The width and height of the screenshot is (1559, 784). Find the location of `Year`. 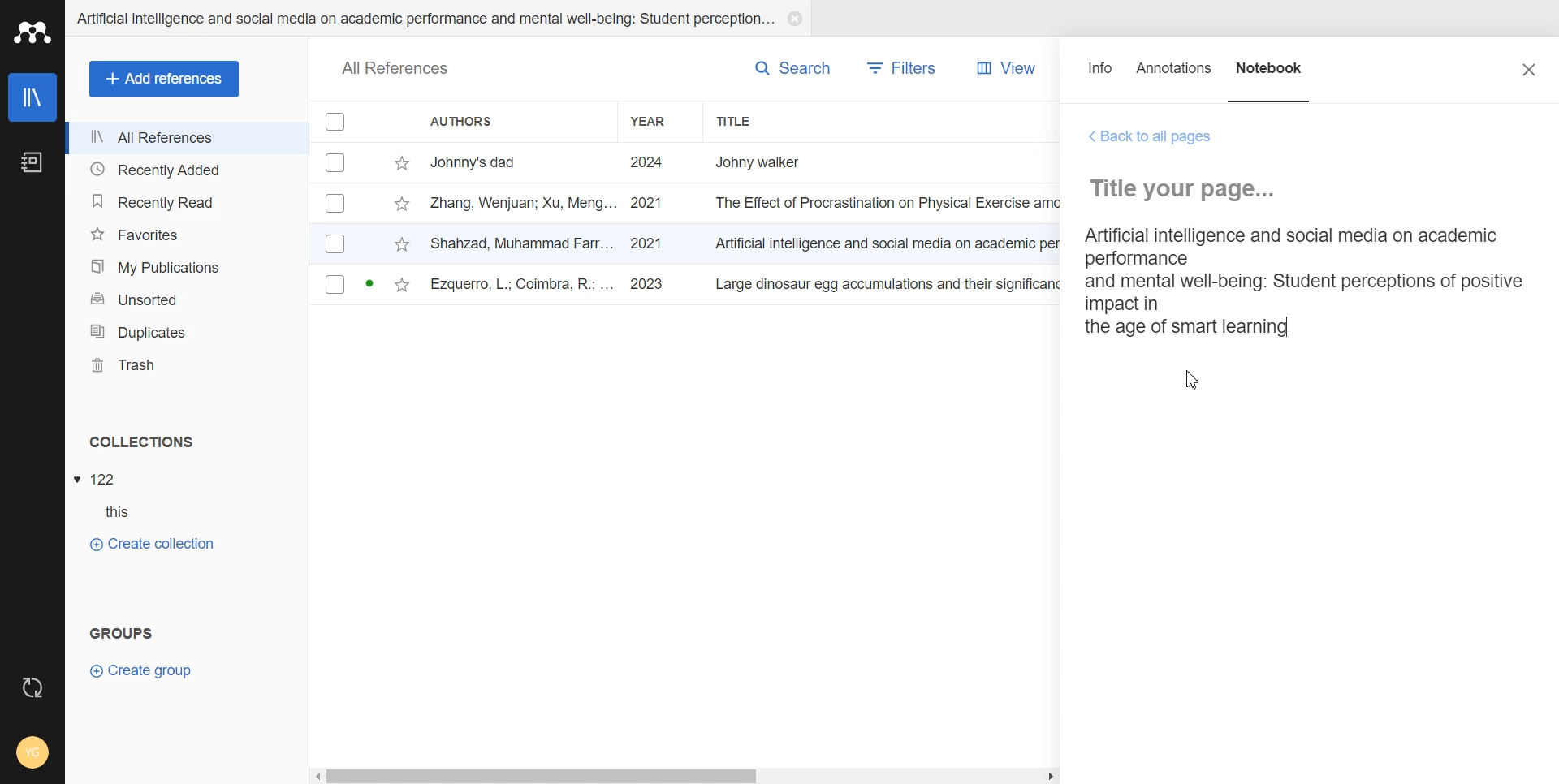

Year is located at coordinates (661, 121).